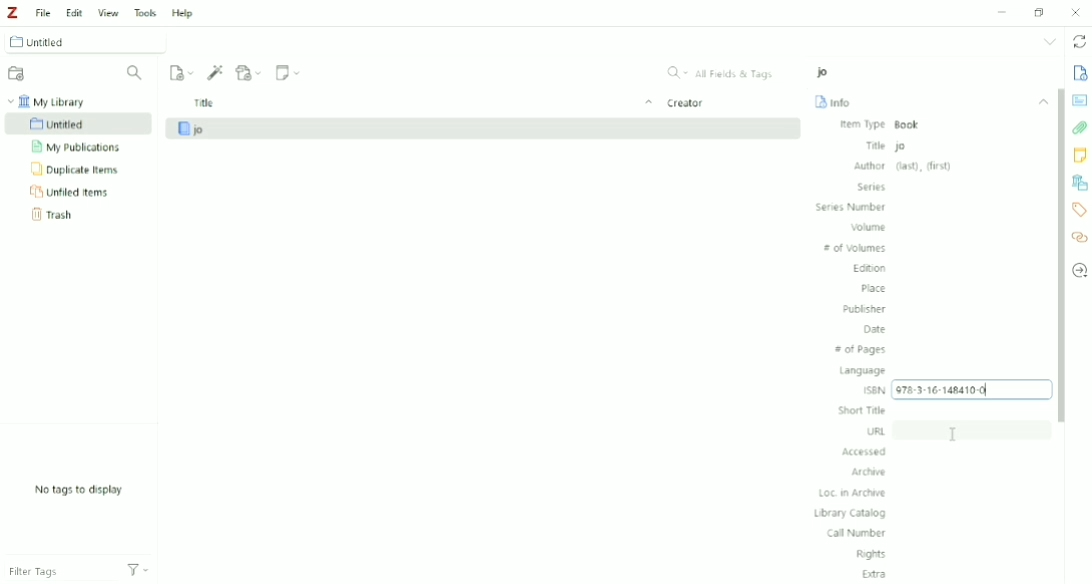 The height and width of the screenshot is (584, 1092). I want to click on Unfiled Items, so click(74, 193).